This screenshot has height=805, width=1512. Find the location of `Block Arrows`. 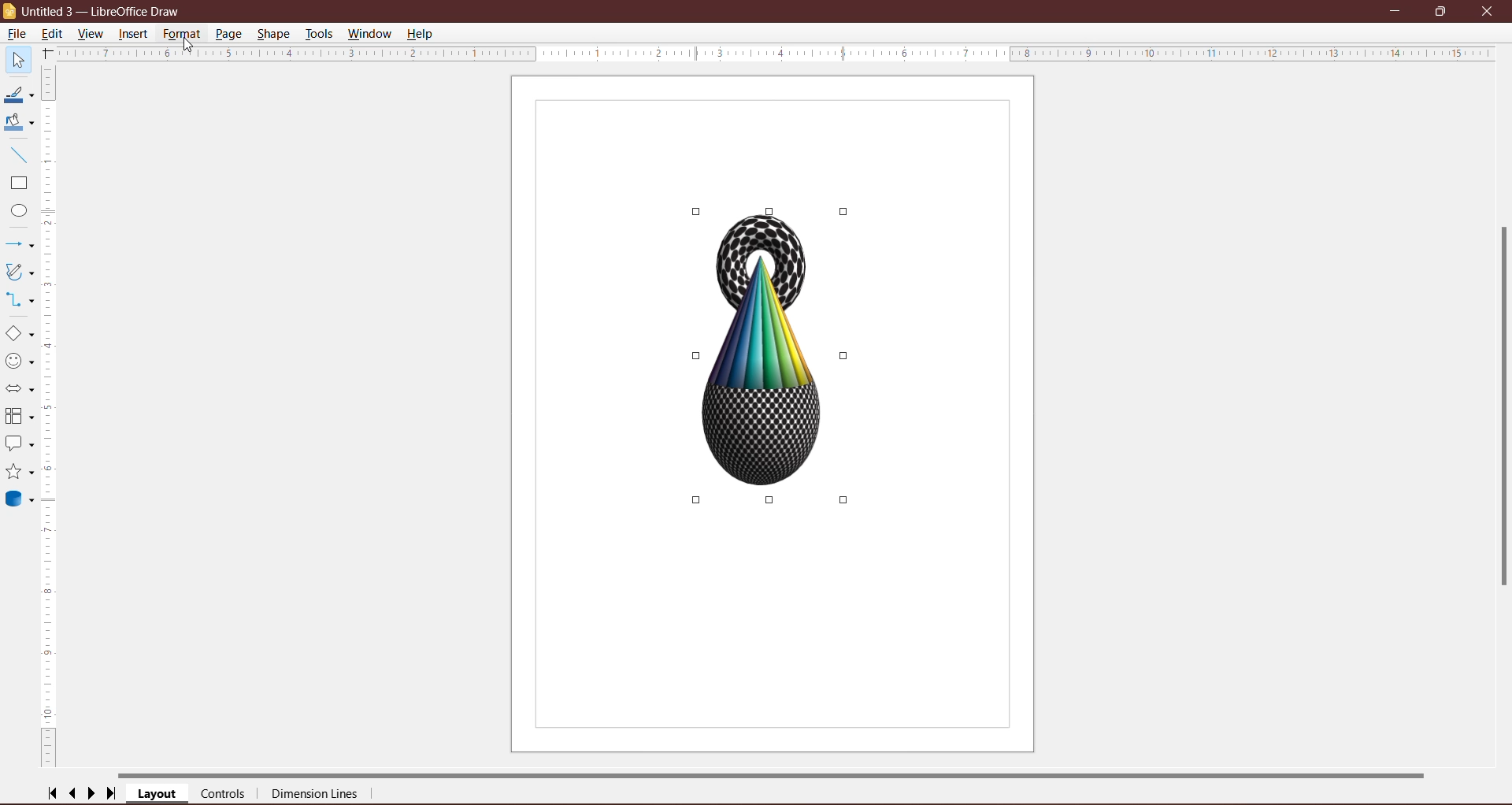

Block Arrows is located at coordinates (20, 388).